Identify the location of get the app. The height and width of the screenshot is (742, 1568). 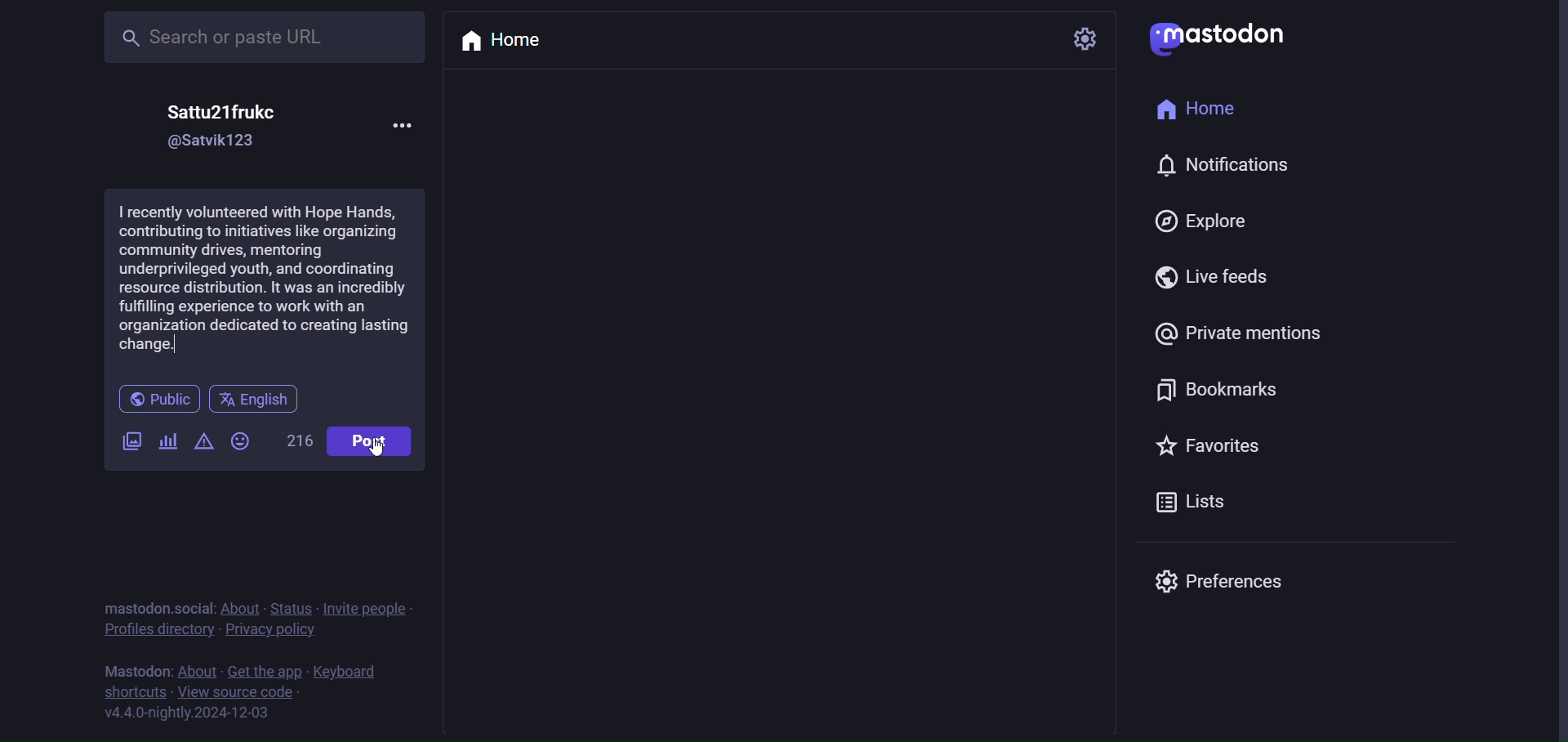
(262, 673).